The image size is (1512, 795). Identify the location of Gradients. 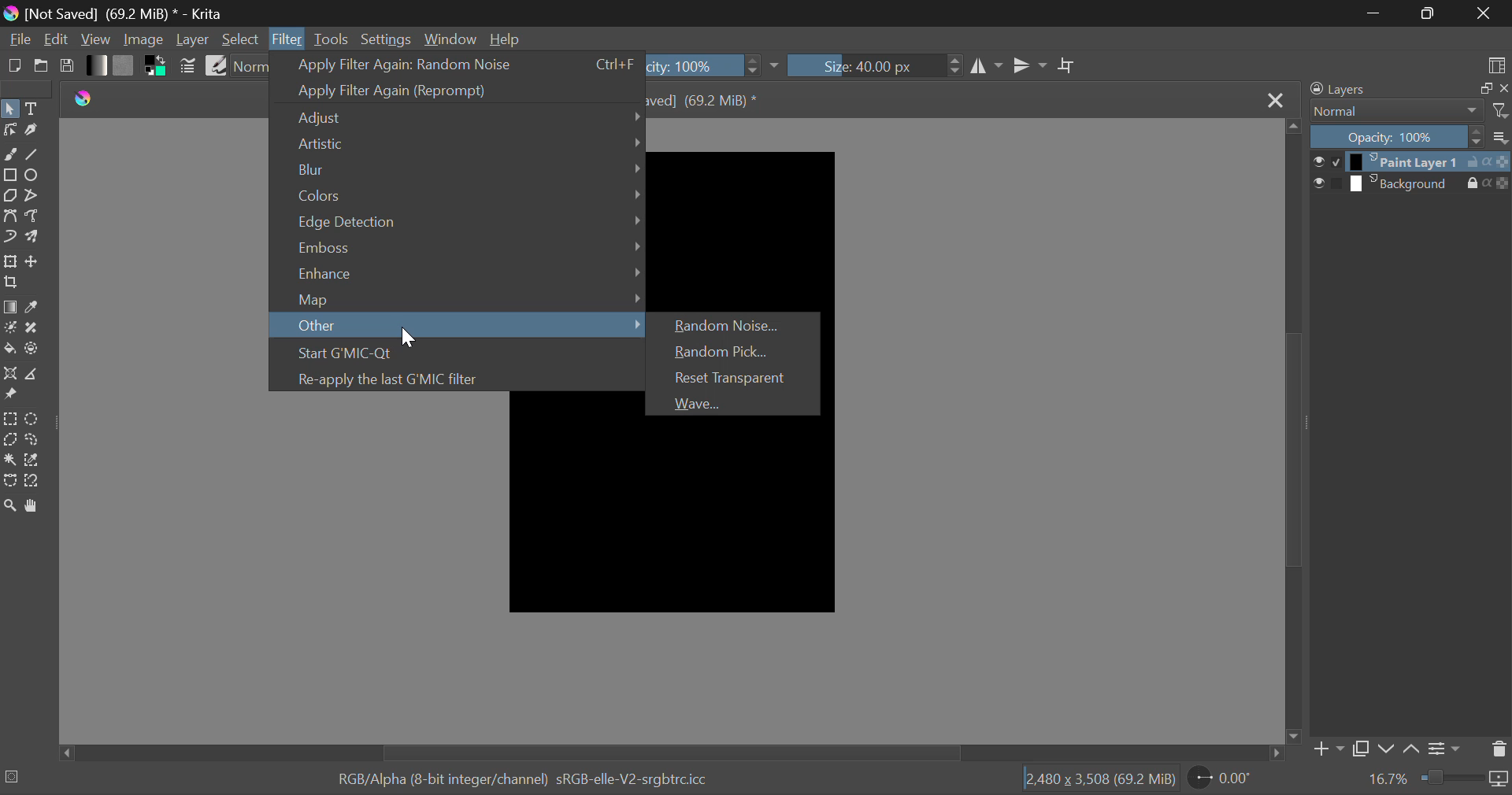
(95, 65).